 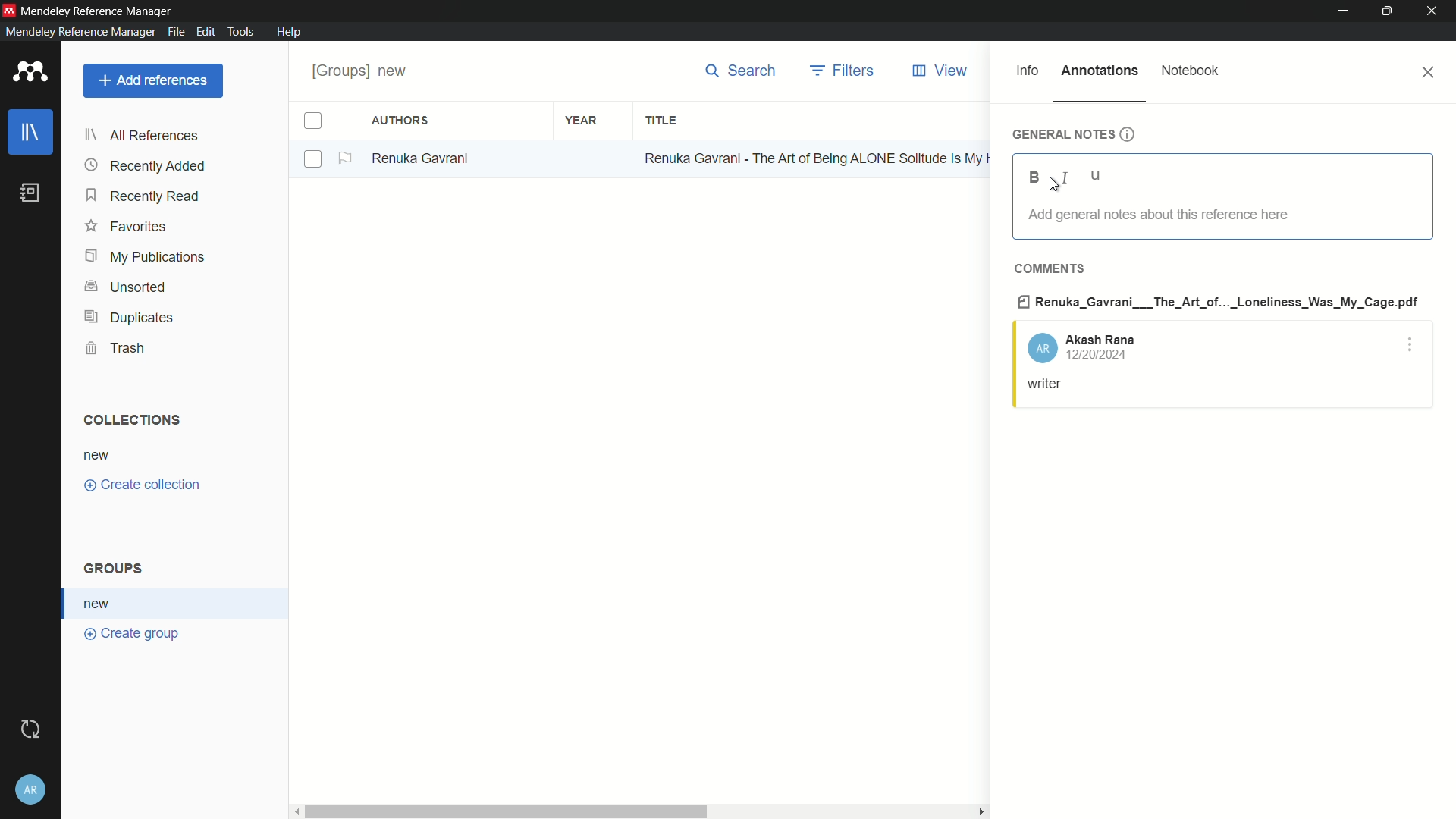 I want to click on tools, so click(x=241, y=33).